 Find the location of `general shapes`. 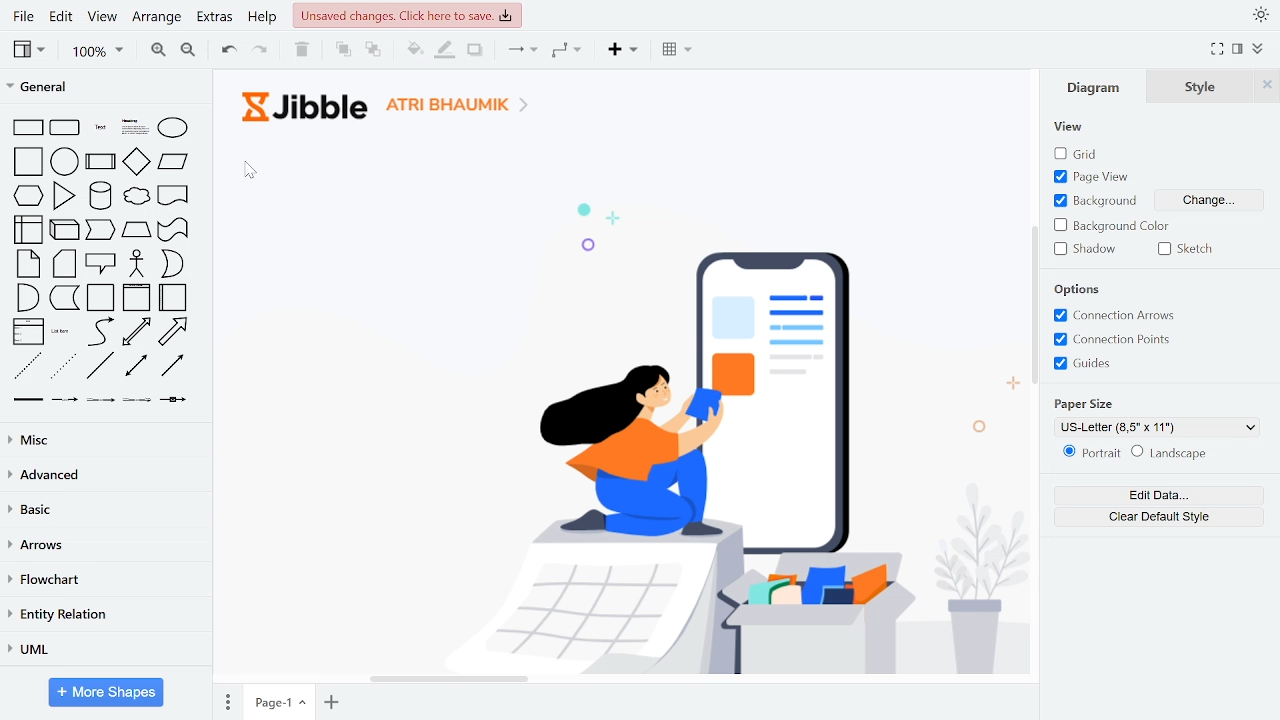

general shapes is located at coordinates (170, 228).